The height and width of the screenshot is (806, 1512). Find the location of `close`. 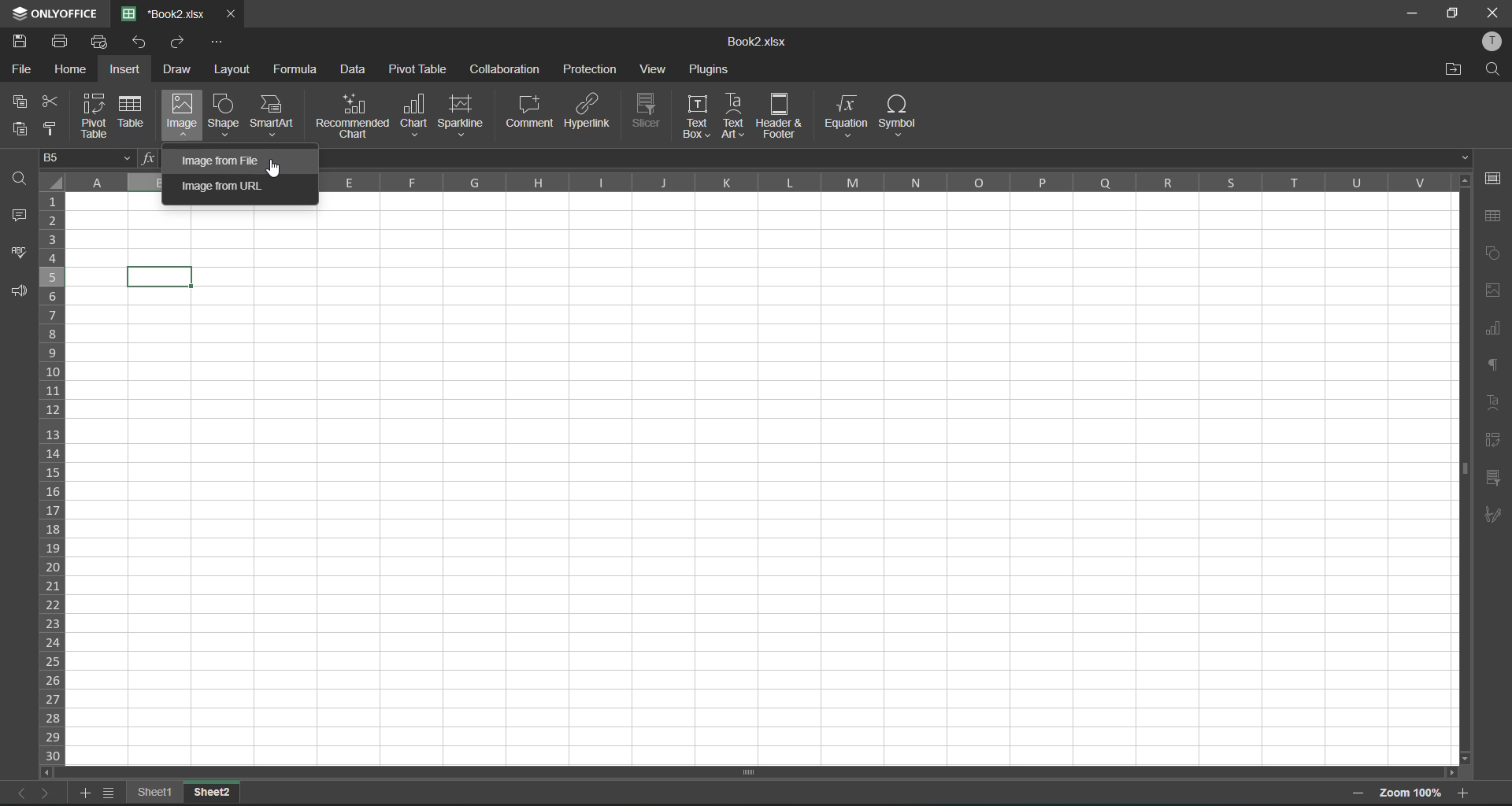

close is located at coordinates (1493, 11).